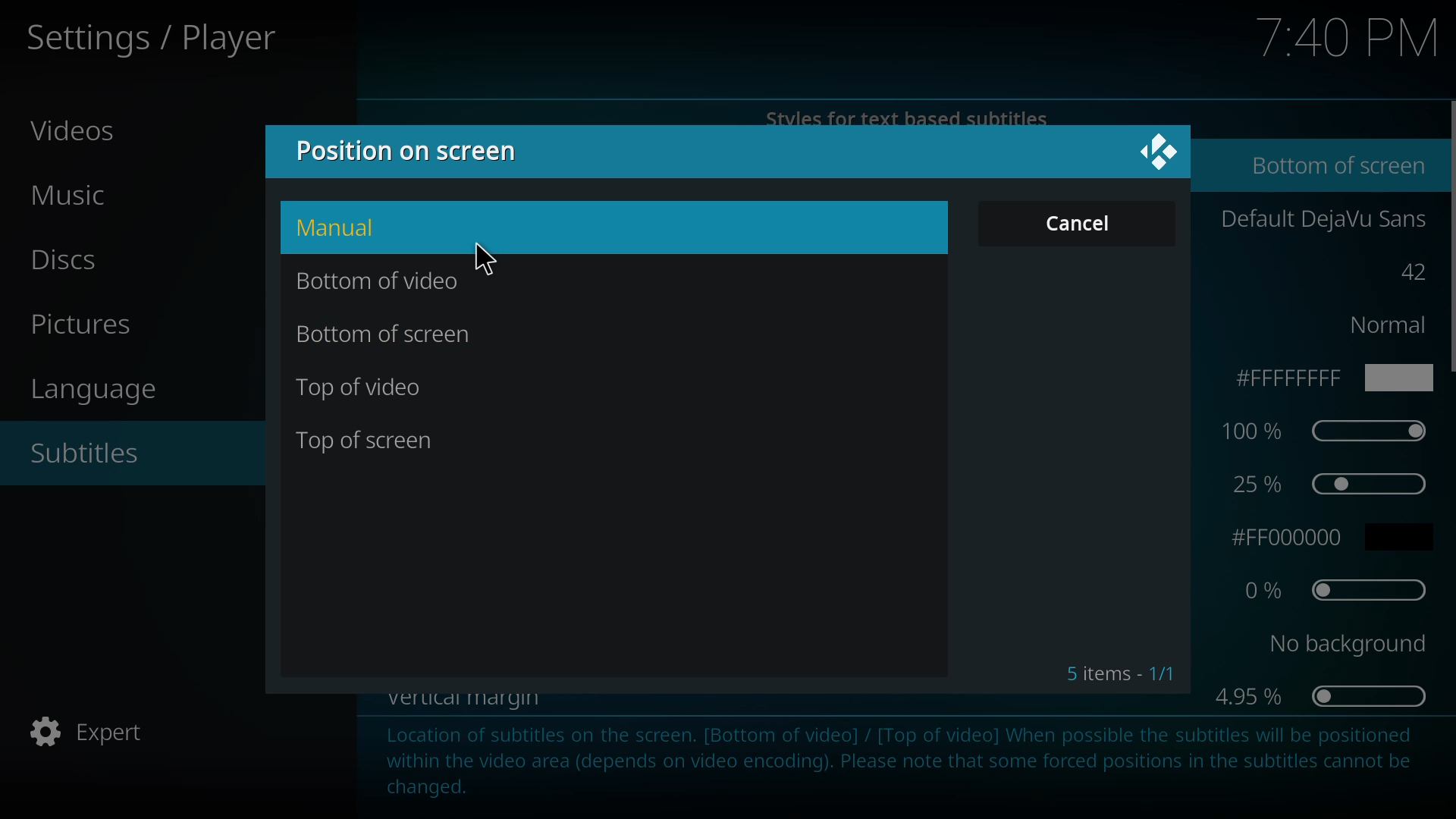 The image size is (1456, 819). I want to click on 4.95, so click(1317, 696).